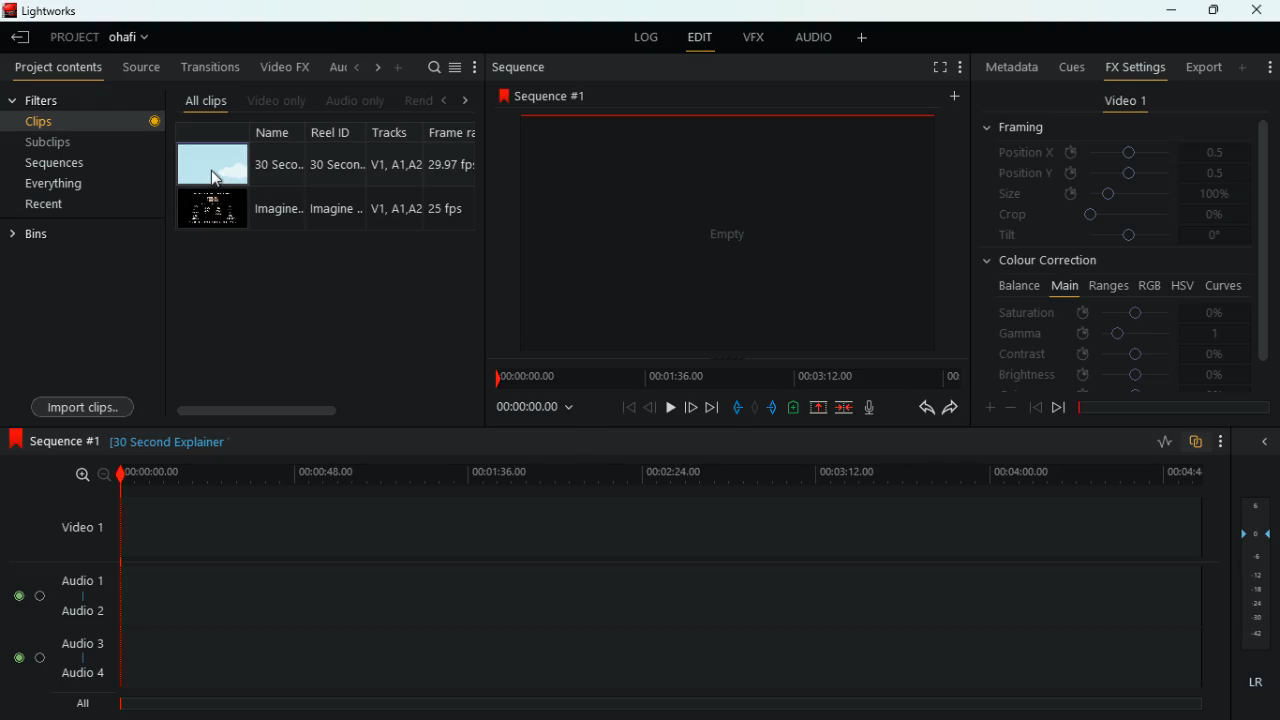 The image size is (1280, 720). What do you see at coordinates (412, 98) in the screenshot?
I see `rend` at bounding box center [412, 98].